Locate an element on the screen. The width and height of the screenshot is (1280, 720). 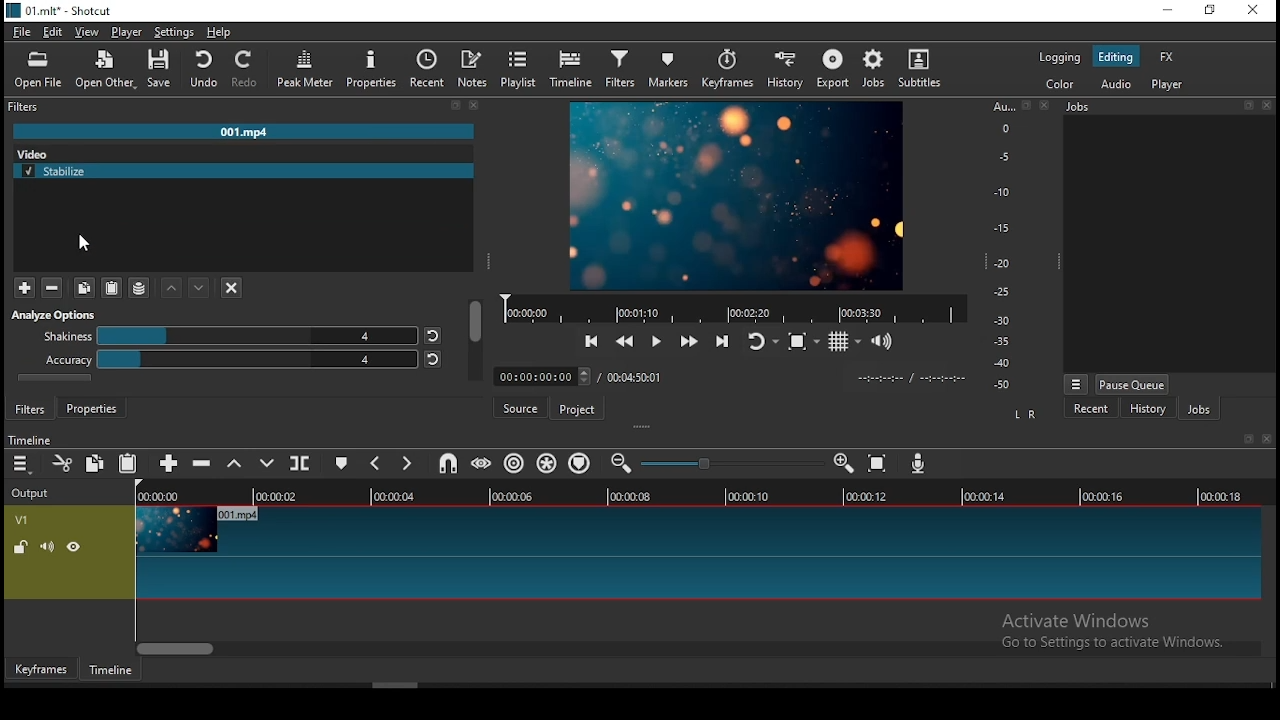
drag is located at coordinates (645, 427).